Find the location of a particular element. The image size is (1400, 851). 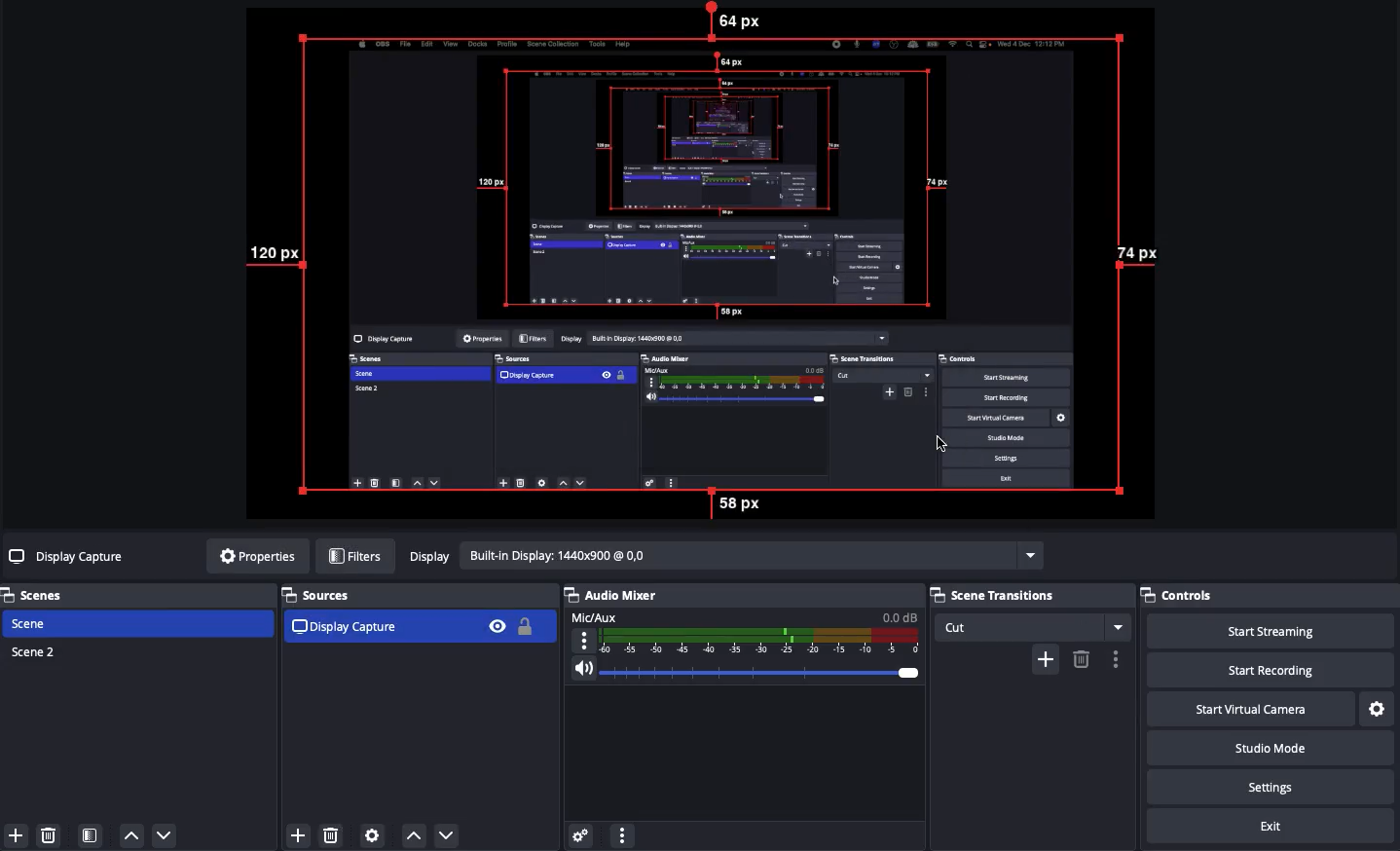

Built-in Display: 1440x900 @ 0,0 is located at coordinates (722, 556).